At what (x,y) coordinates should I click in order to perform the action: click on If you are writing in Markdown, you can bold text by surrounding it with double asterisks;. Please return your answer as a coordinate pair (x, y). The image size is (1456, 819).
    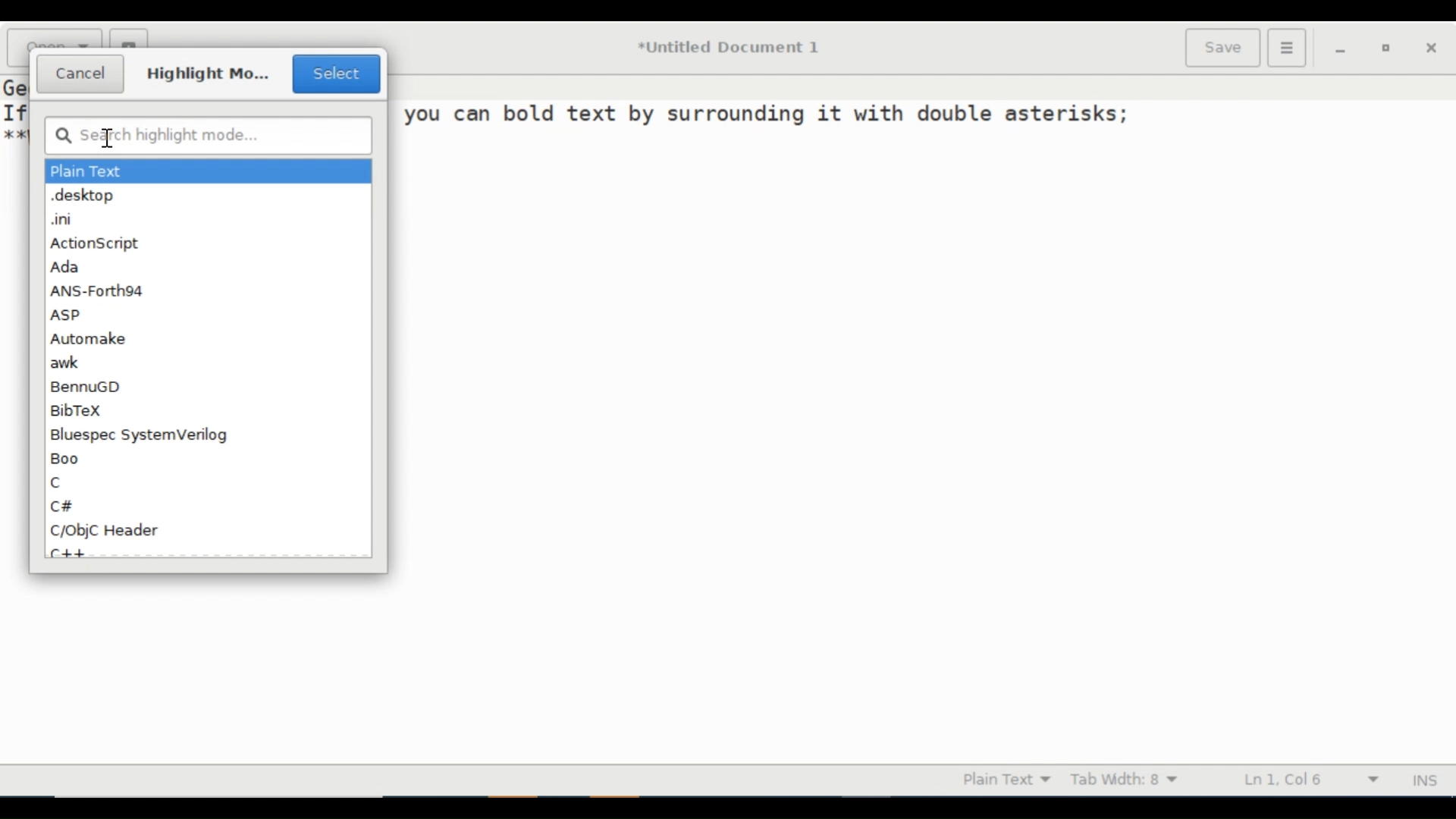
    Looking at the image, I should click on (766, 114).